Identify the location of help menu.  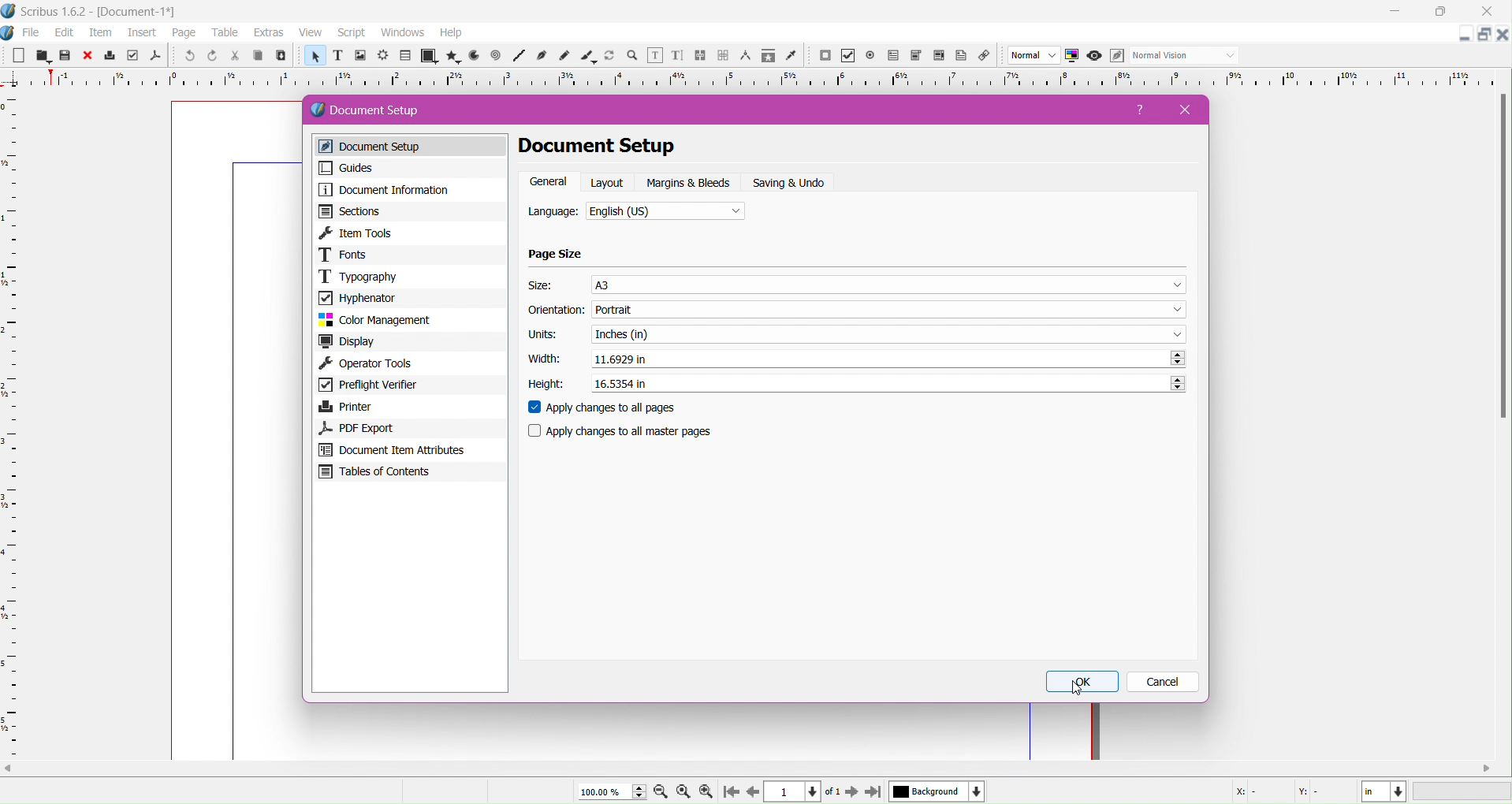
(451, 33).